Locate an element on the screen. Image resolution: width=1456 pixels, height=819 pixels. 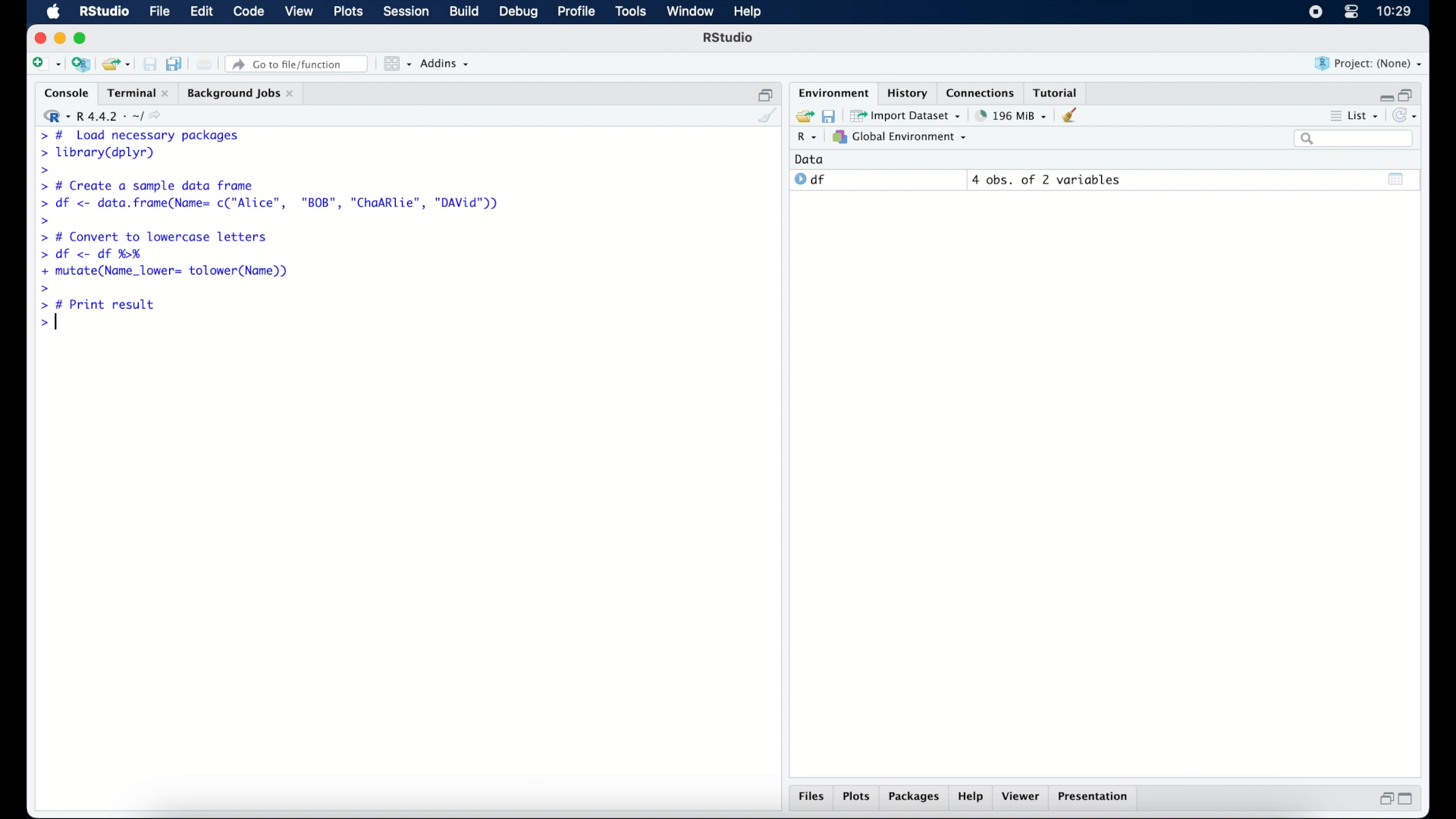
4 obs, of 2 variables is located at coordinates (1046, 180).